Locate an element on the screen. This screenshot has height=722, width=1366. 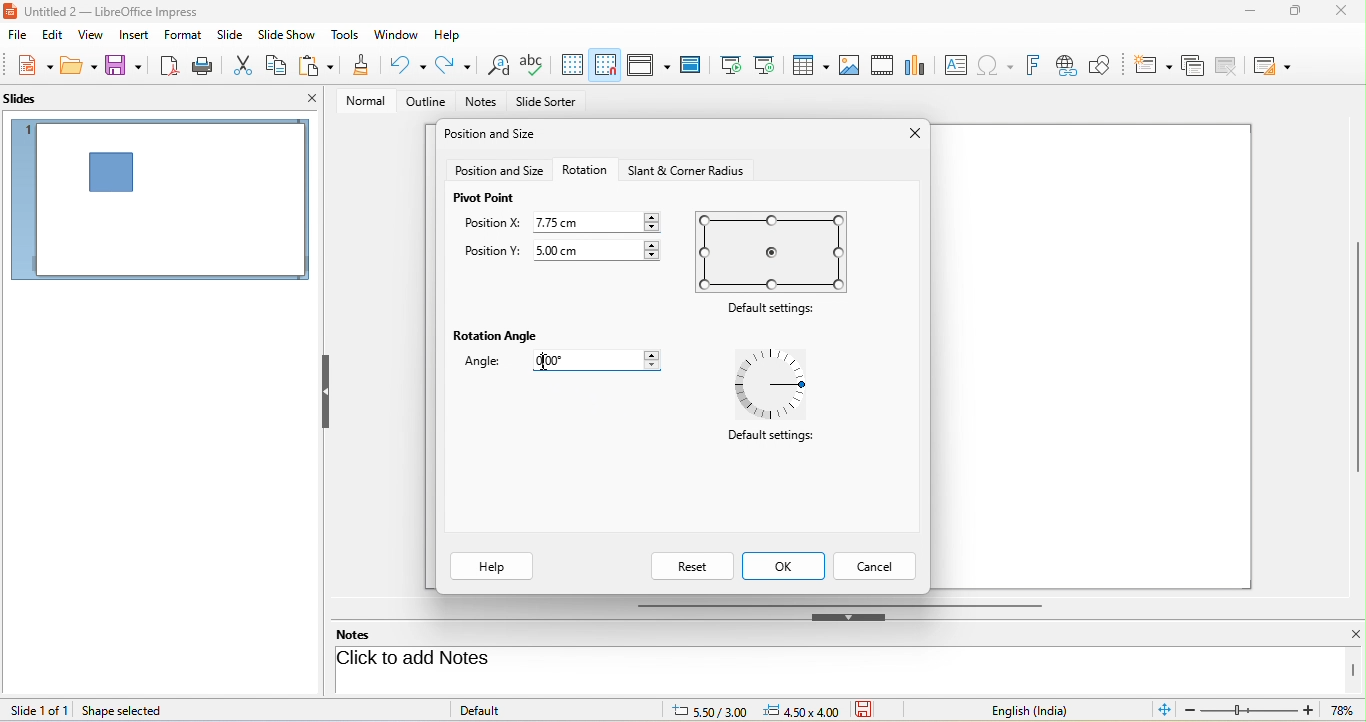
minimize is located at coordinates (1246, 14).